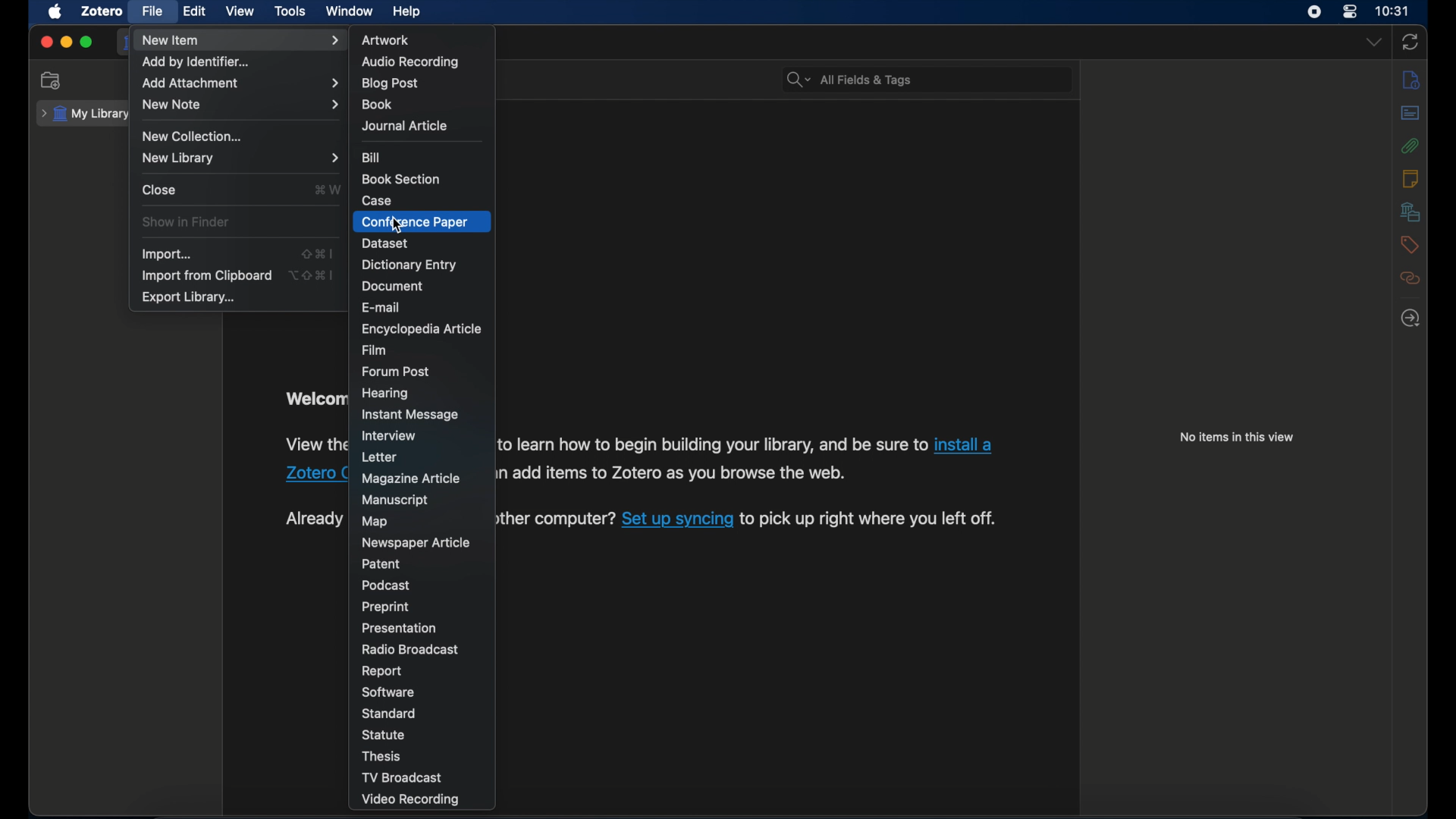 The height and width of the screenshot is (819, 1456). What do you see at coordinates (1409, 245) in the screenshot?
I see `tags` at bounding box center [1409, 245].